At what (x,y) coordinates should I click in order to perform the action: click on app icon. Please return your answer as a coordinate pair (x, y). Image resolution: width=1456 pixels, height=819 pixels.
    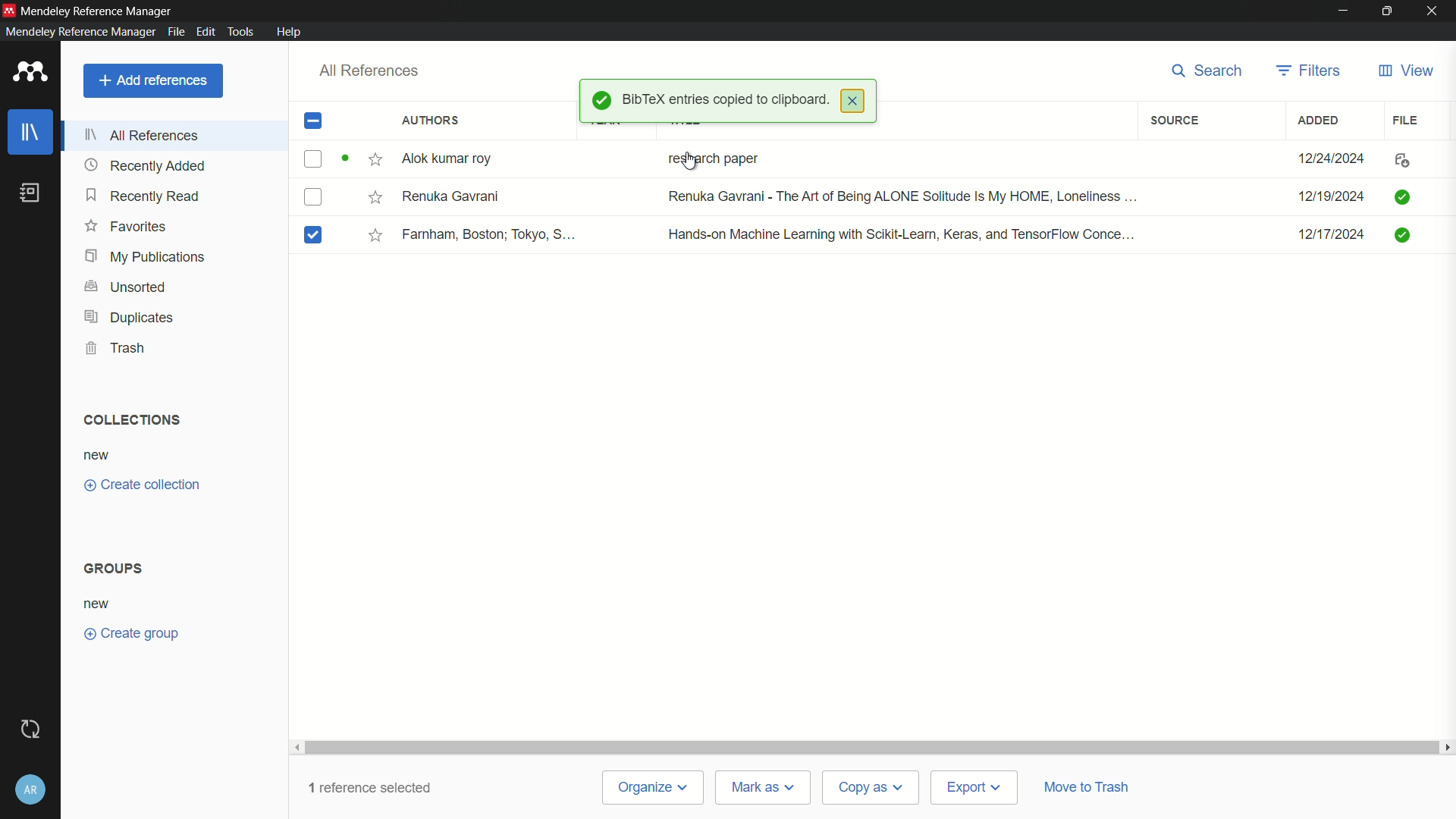
    Looking at the image, I should click on (9, 9).